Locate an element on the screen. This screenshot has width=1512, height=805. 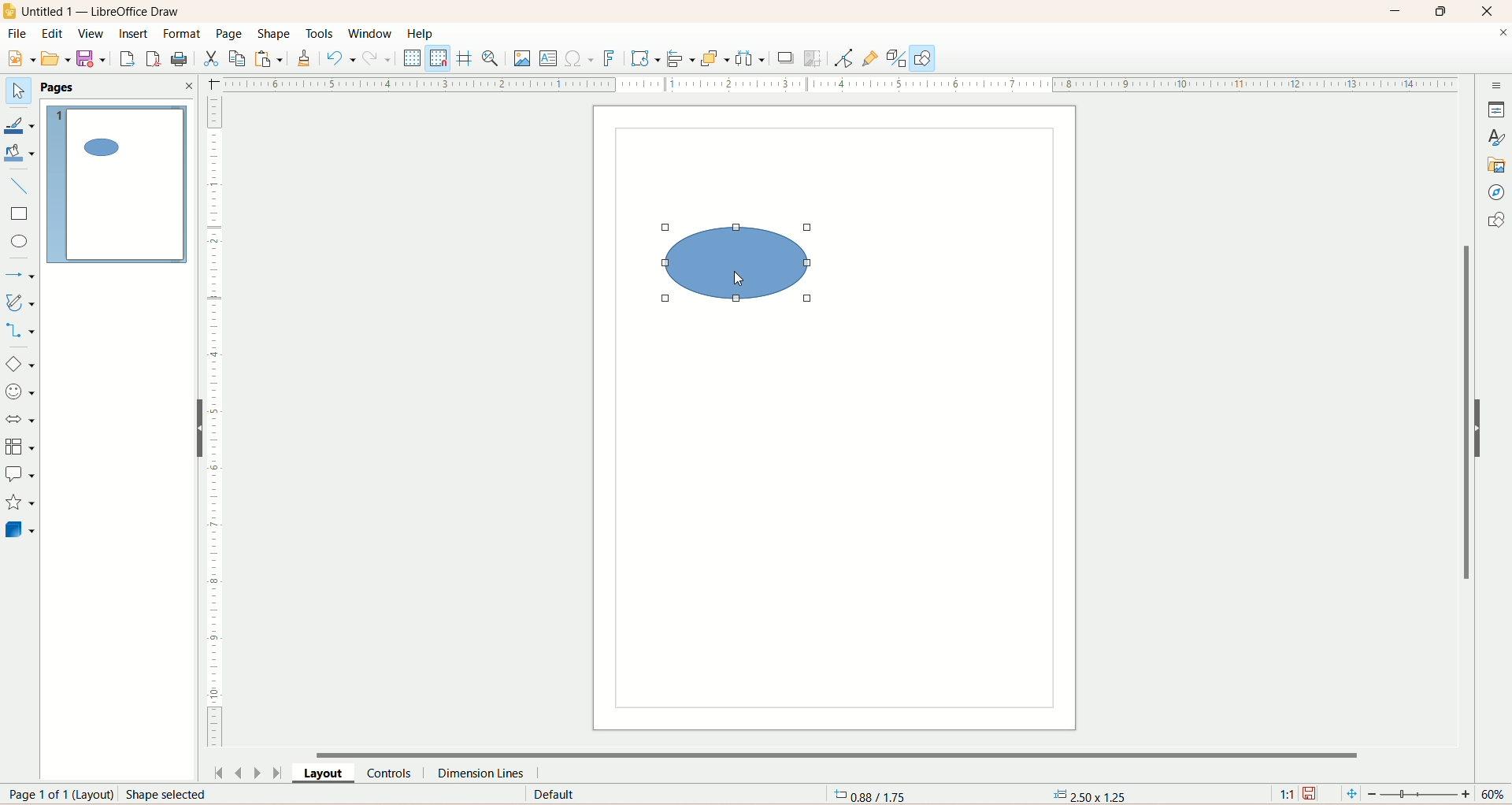
shape is located at coordinates (276, 33).